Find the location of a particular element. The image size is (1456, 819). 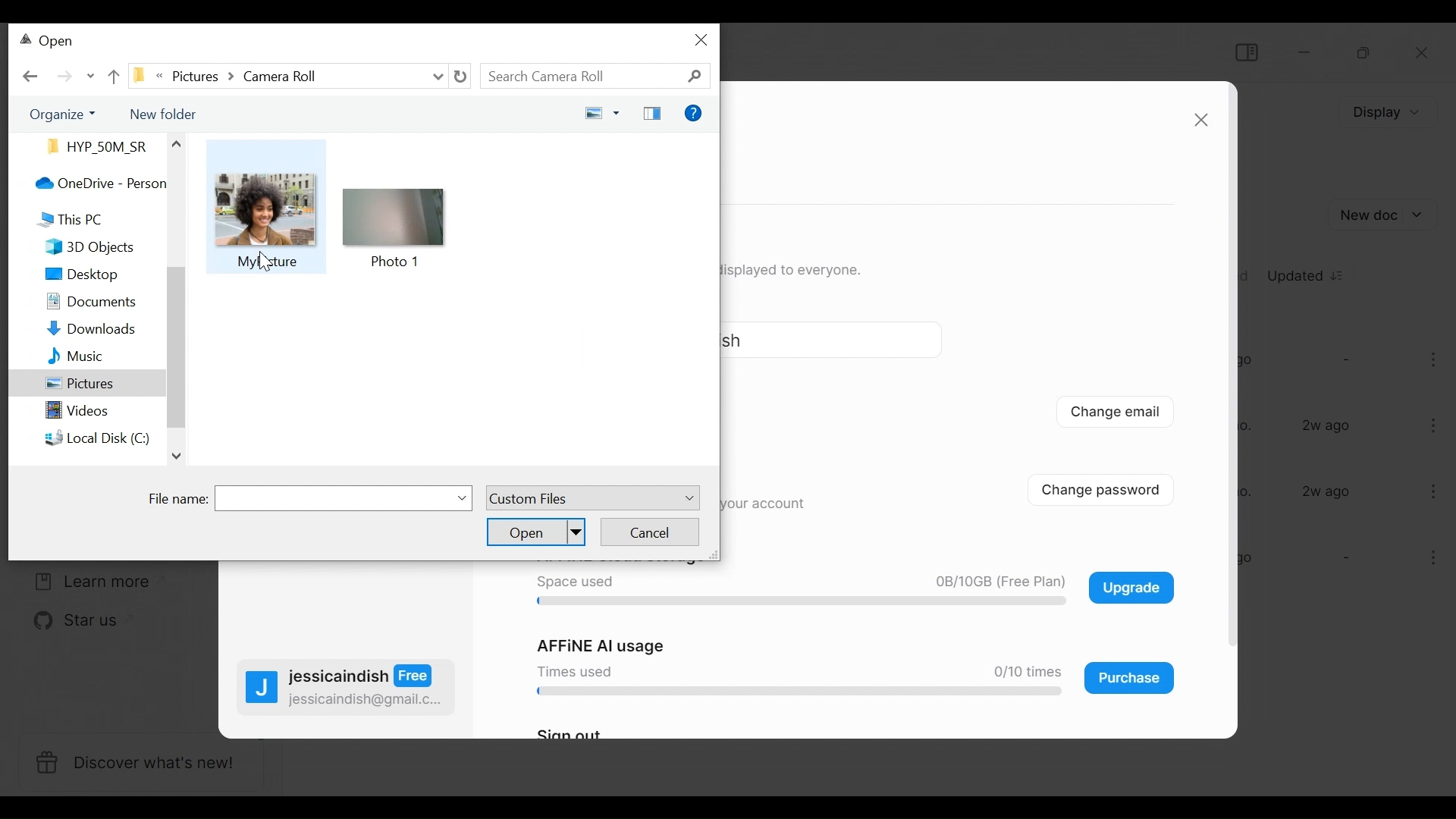

Discover what's new is located at coordinates (140, 764).